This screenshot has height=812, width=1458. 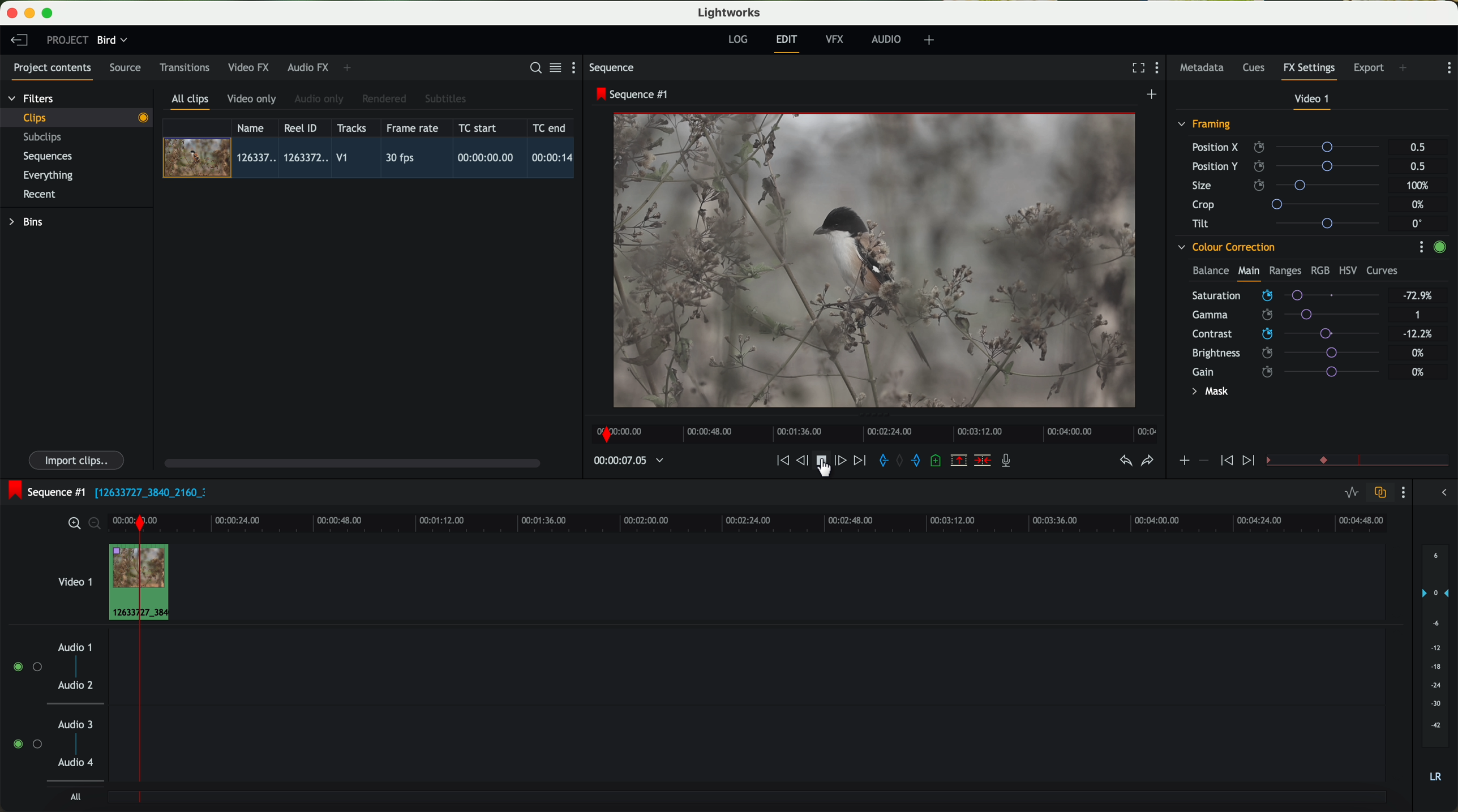 What do you see at coordinates (53, 71) in the screenshot?
I see `project contents` at bounding box center [53, 71].